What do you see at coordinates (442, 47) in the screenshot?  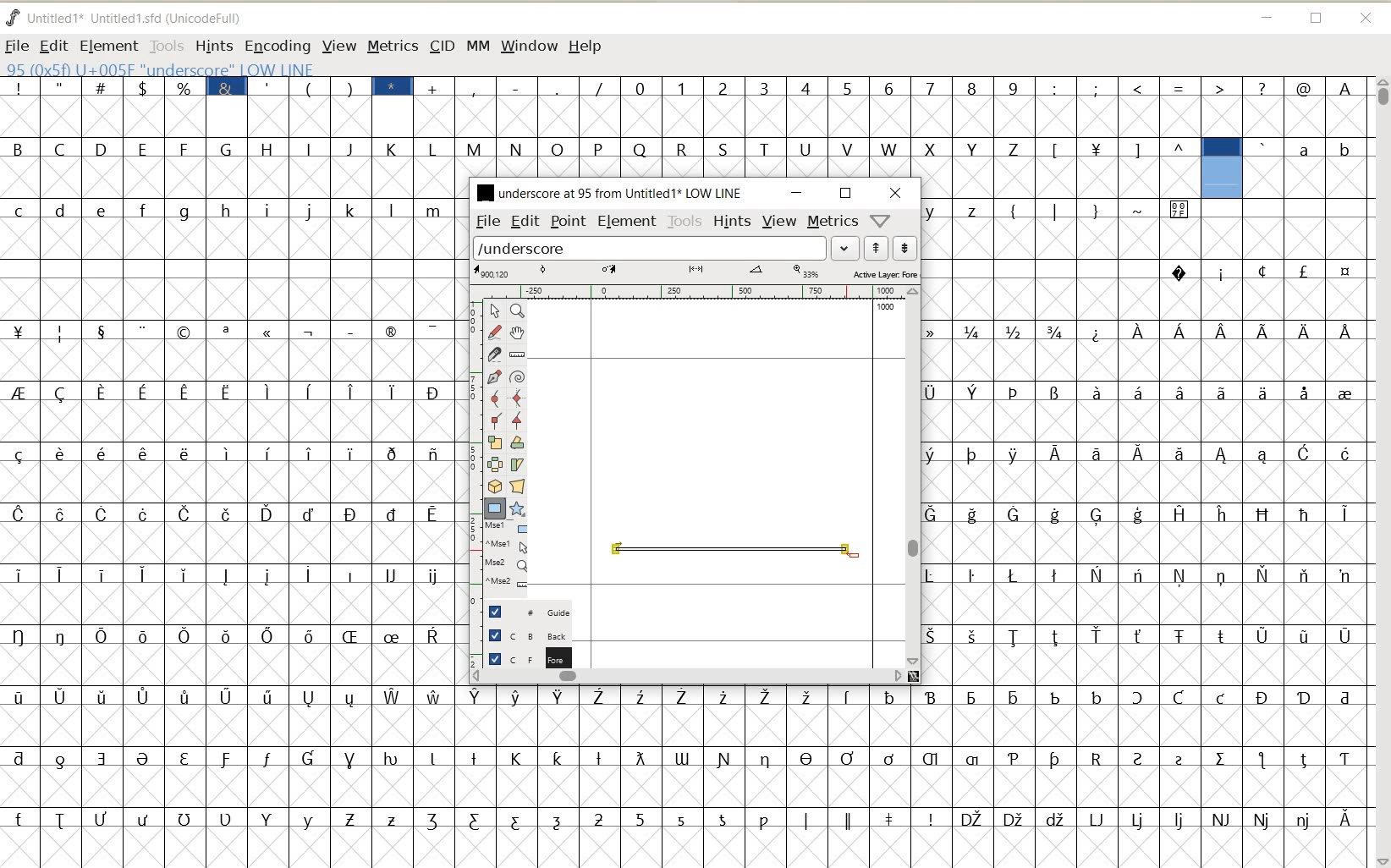 I see `CID` at bounding box center [442, 47].